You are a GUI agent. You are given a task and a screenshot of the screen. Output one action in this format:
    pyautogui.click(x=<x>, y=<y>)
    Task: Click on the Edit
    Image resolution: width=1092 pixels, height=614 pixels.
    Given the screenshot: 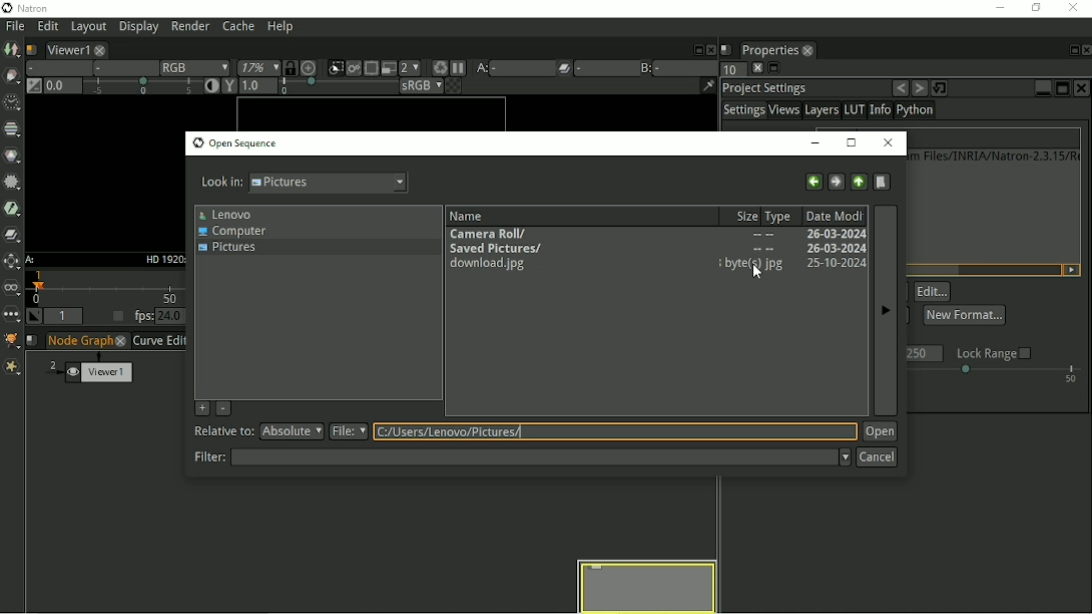 What is the action you would take?
    pyautogui.click(x=933, y=292)
    